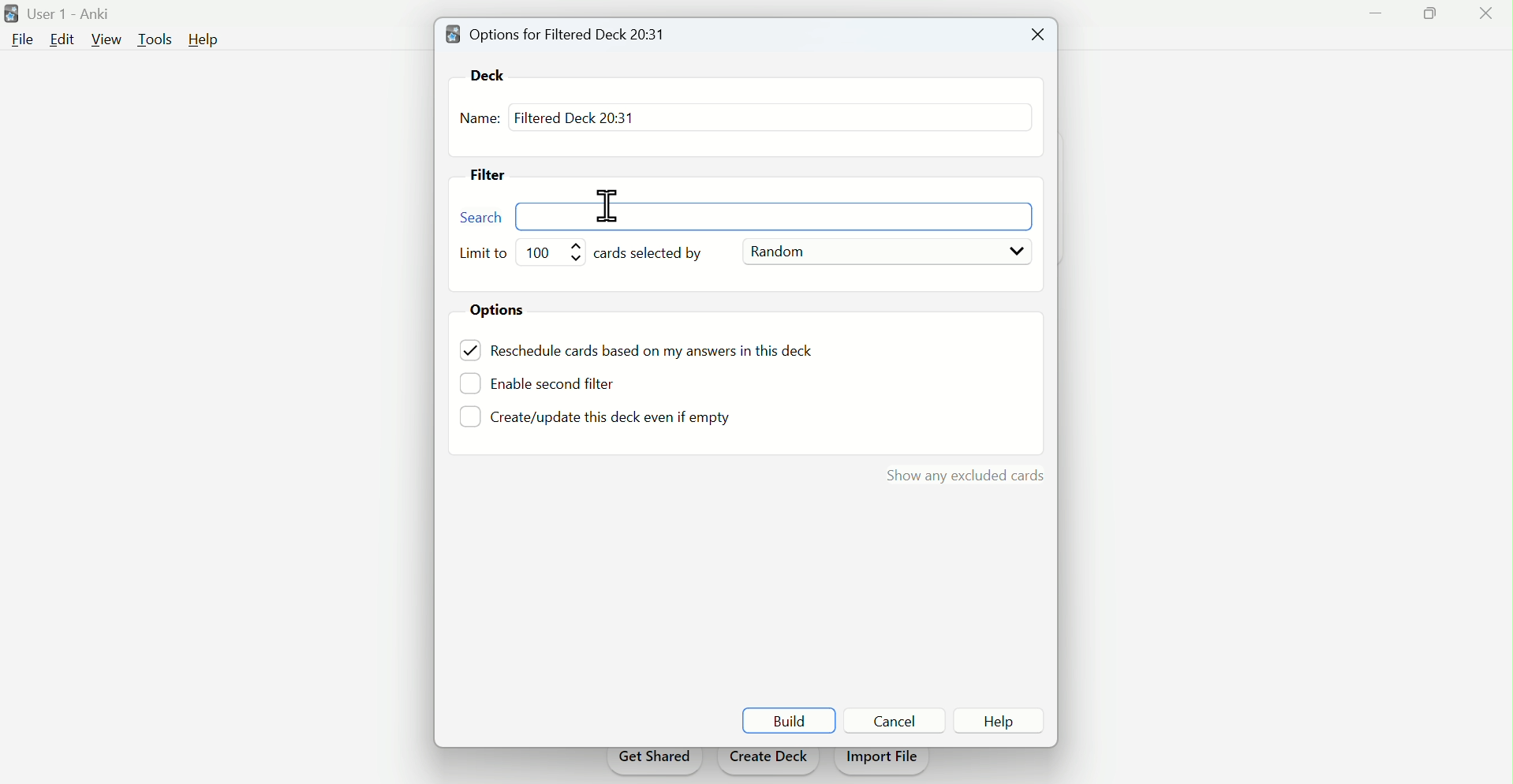  Describe the element at coordinates (657, 254) in the screenshot. I see `Cards selected by` at that location.